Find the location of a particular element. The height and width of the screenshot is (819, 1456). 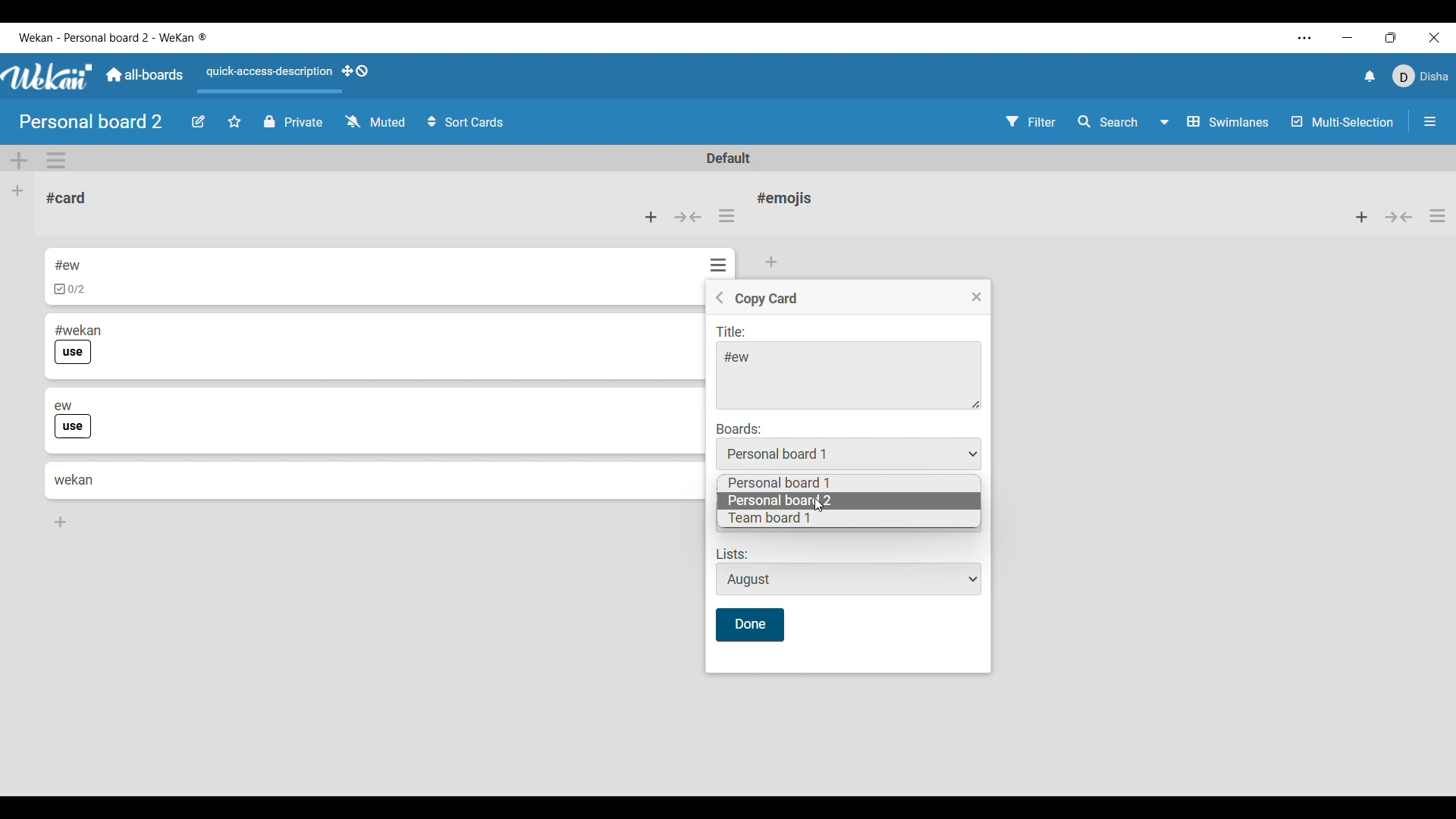

Indicates title is located at coordinates (733, 333).